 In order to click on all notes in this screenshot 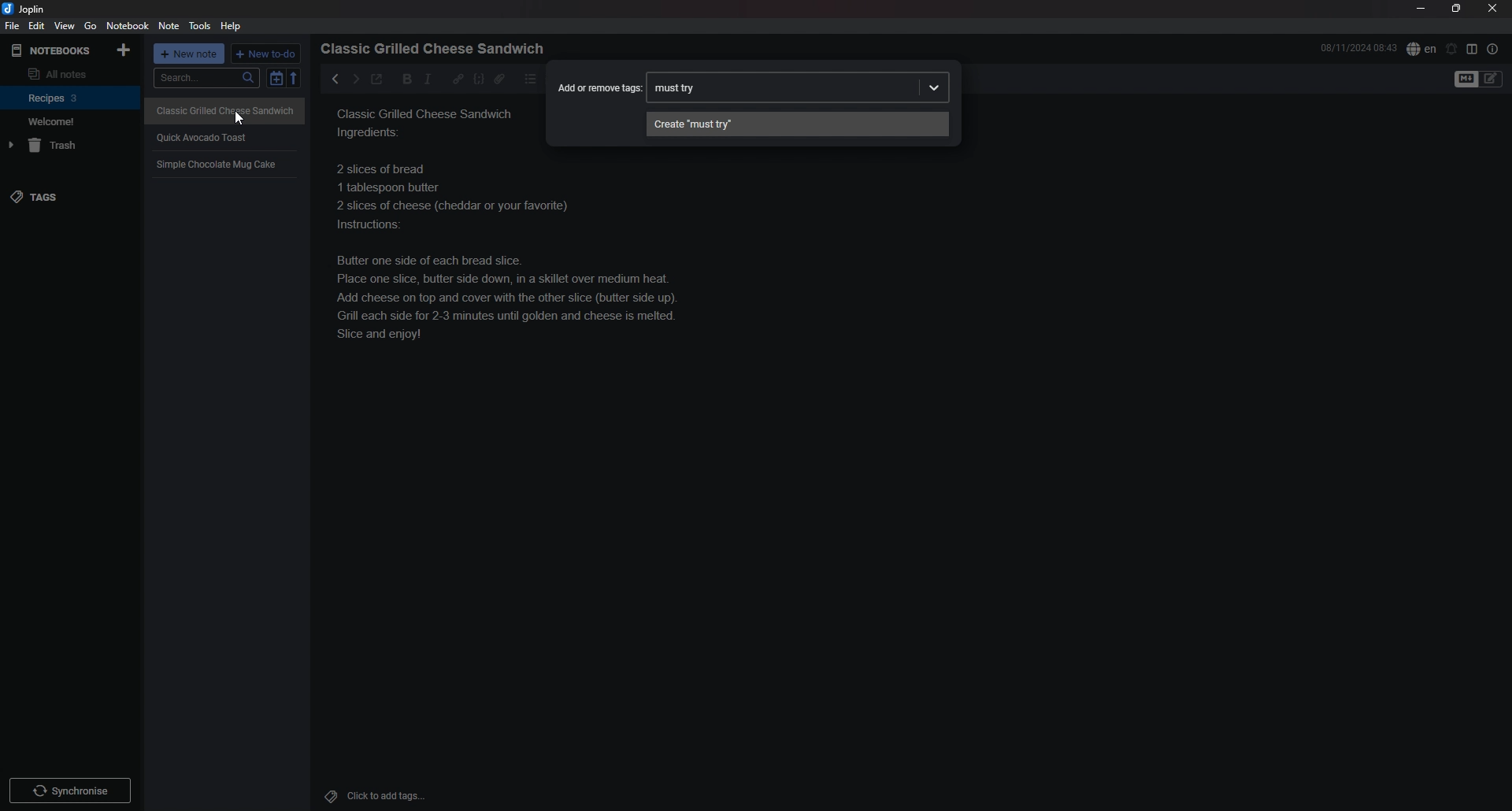, I will do `click(68, 73)`.